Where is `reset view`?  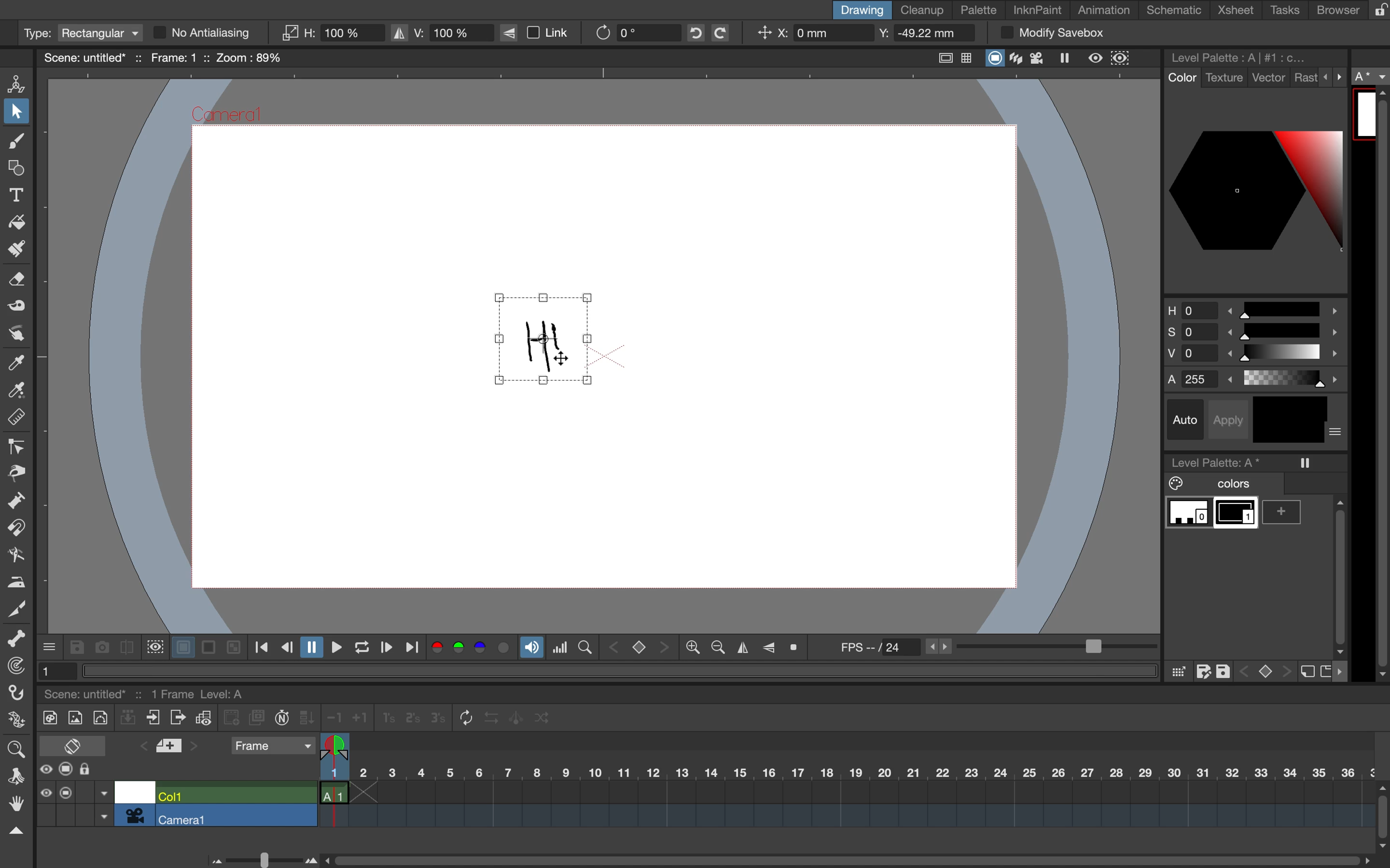
reset view is located at coordinates (798, 648).